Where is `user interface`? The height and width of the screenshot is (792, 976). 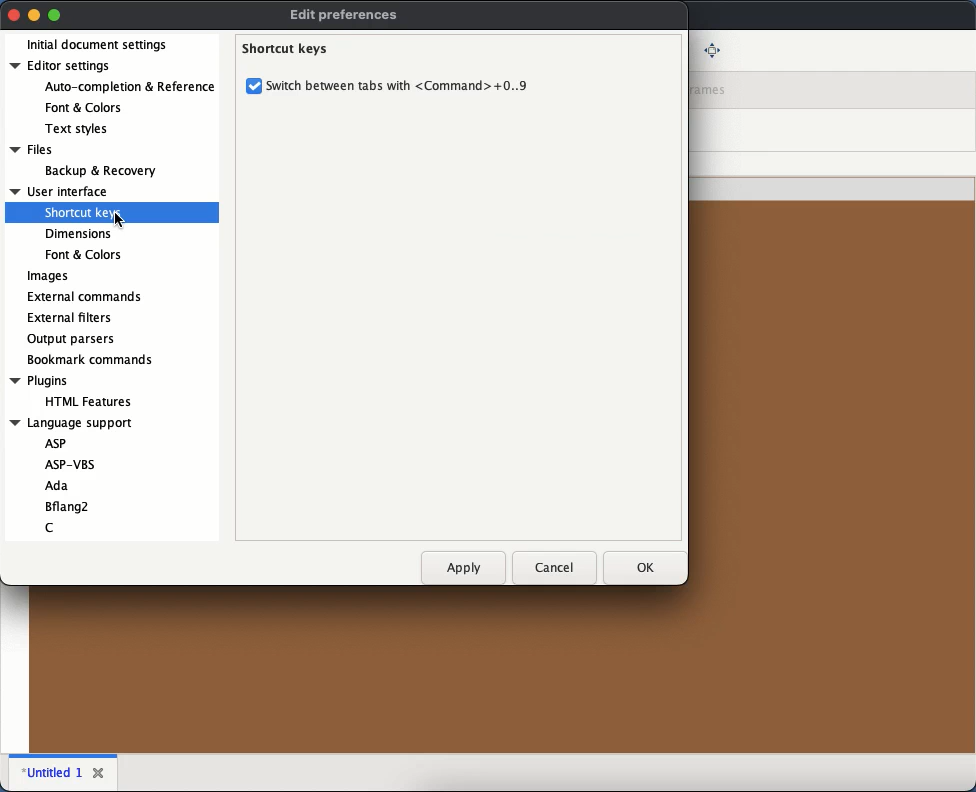 user interface is located at coordinates (60, 191).